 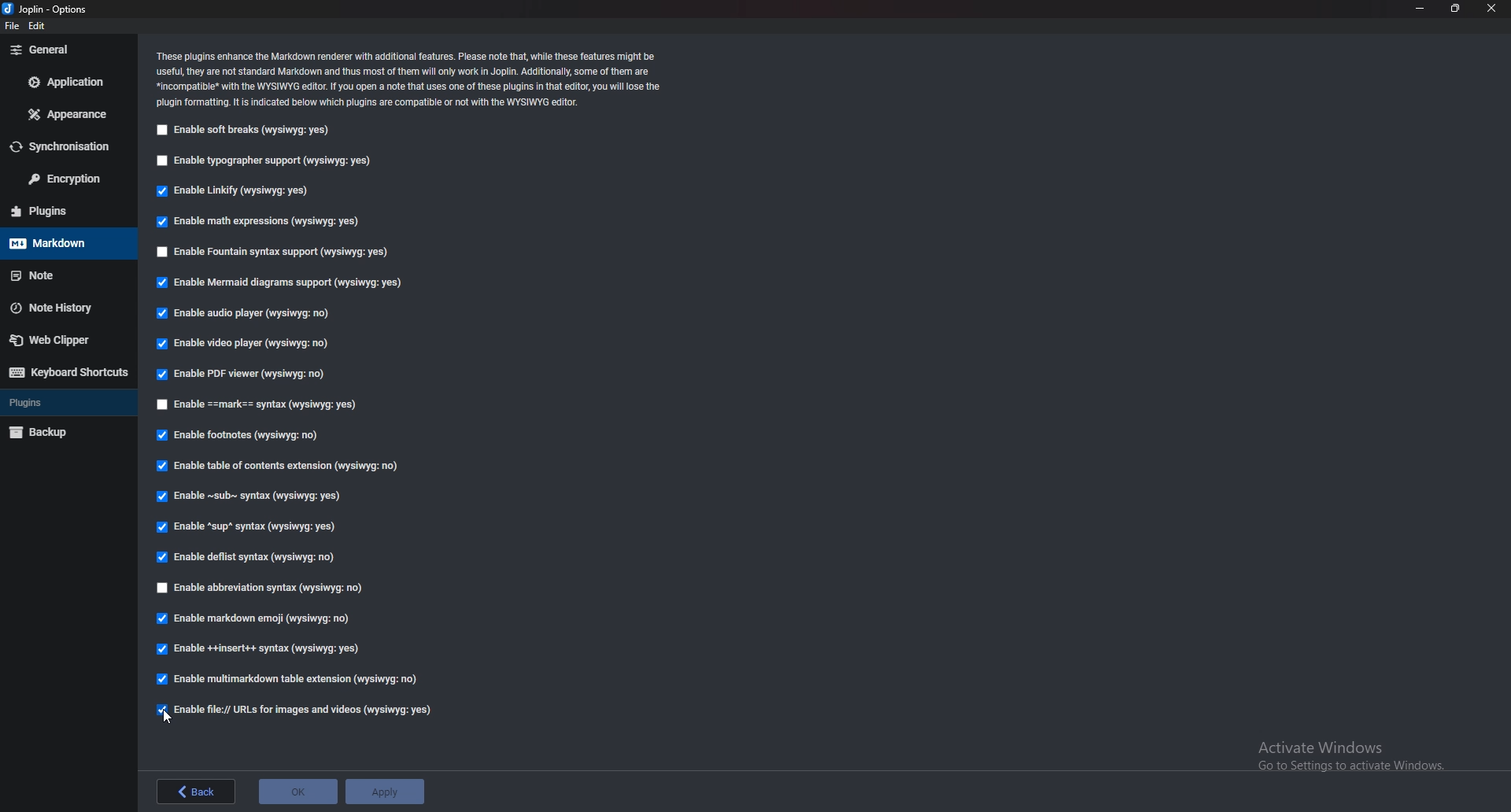 I want to click on Encryption, so click(x=67, y=180).